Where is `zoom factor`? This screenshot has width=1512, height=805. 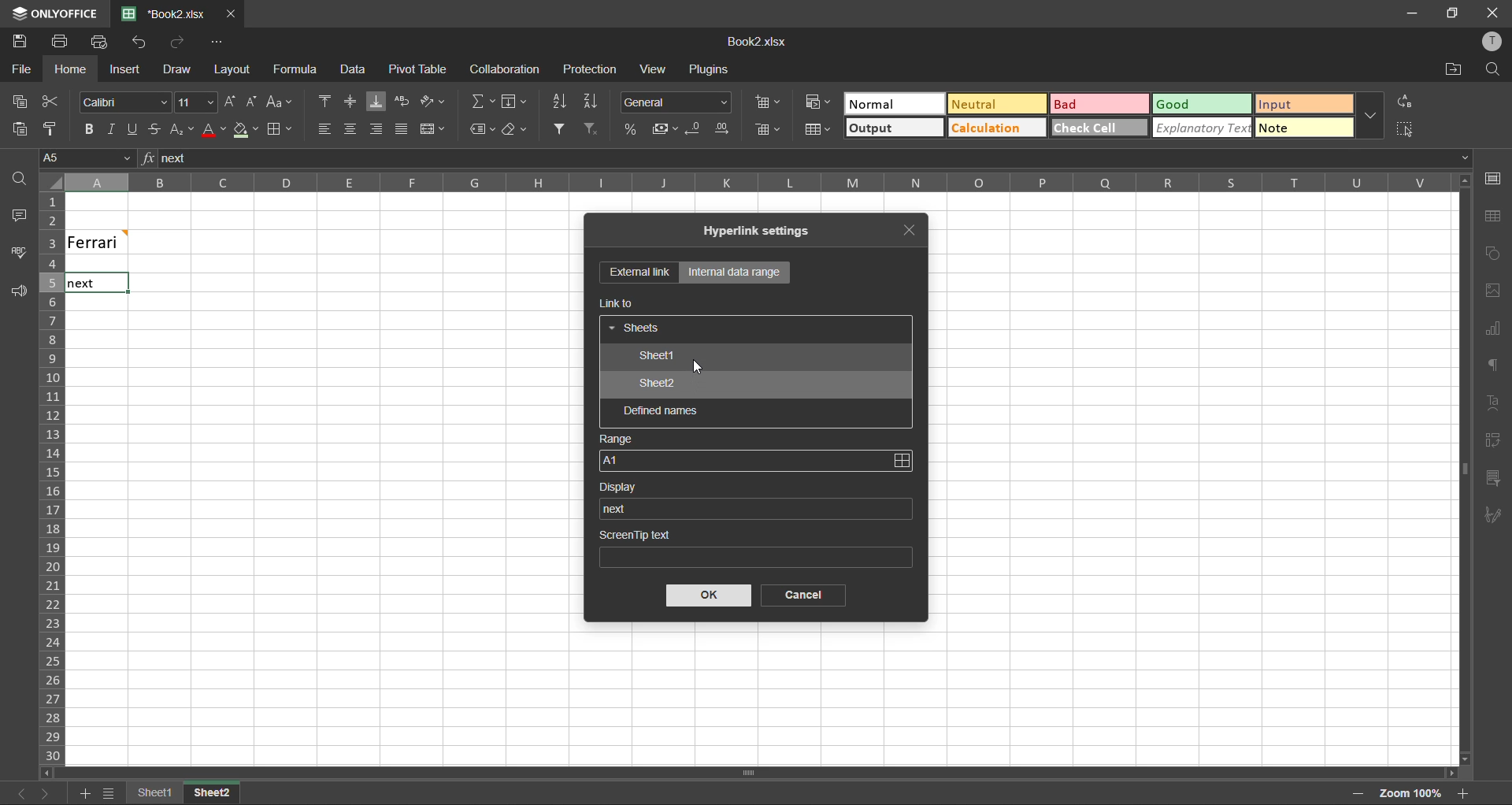
zoom factor is located at coordinates (1412, 792).